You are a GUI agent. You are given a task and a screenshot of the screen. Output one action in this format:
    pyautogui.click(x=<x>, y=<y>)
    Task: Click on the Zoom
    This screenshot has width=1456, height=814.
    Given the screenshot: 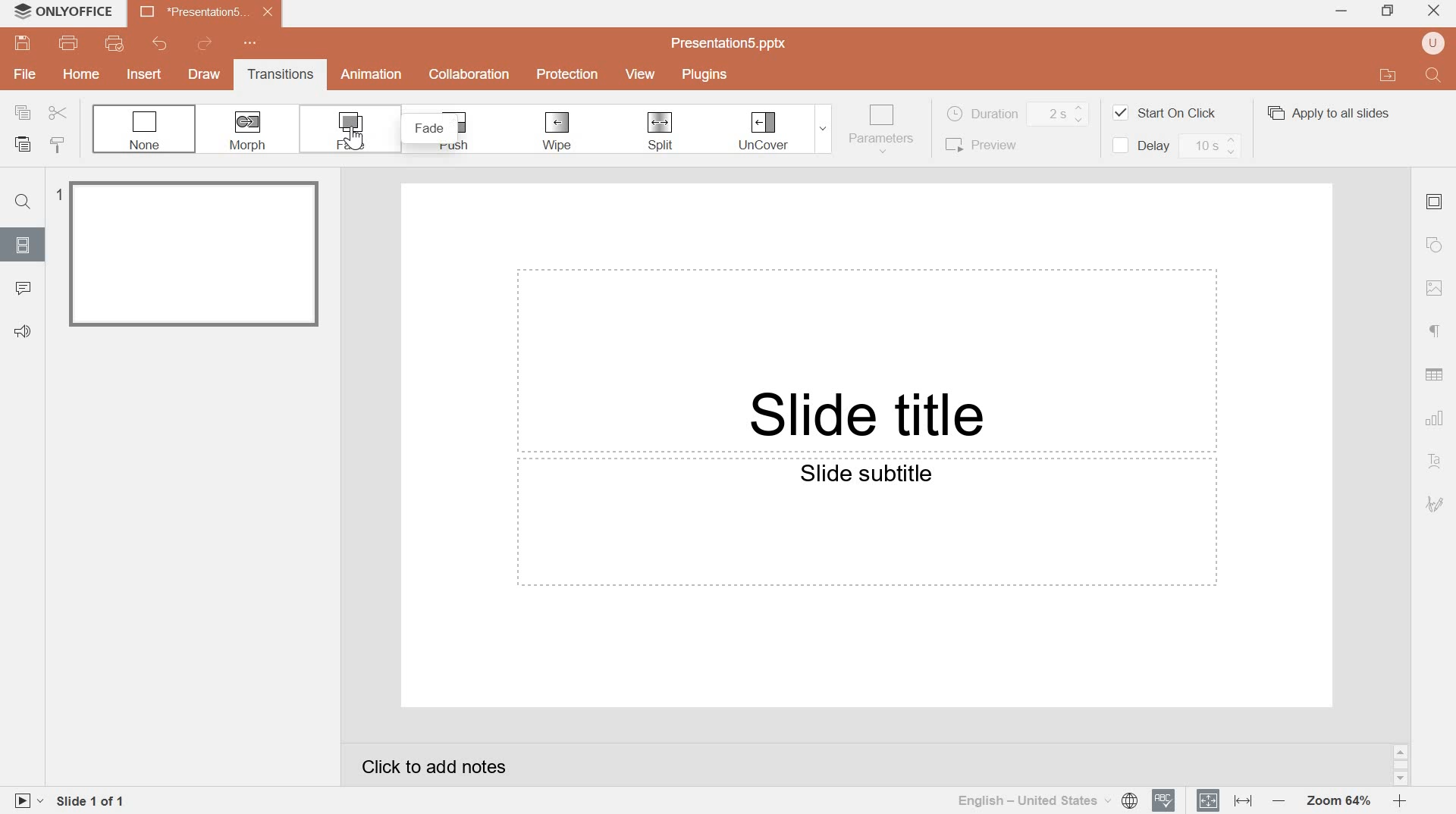 What is the action you would take?
    pyautogui.click(x=1337, y=802)
    